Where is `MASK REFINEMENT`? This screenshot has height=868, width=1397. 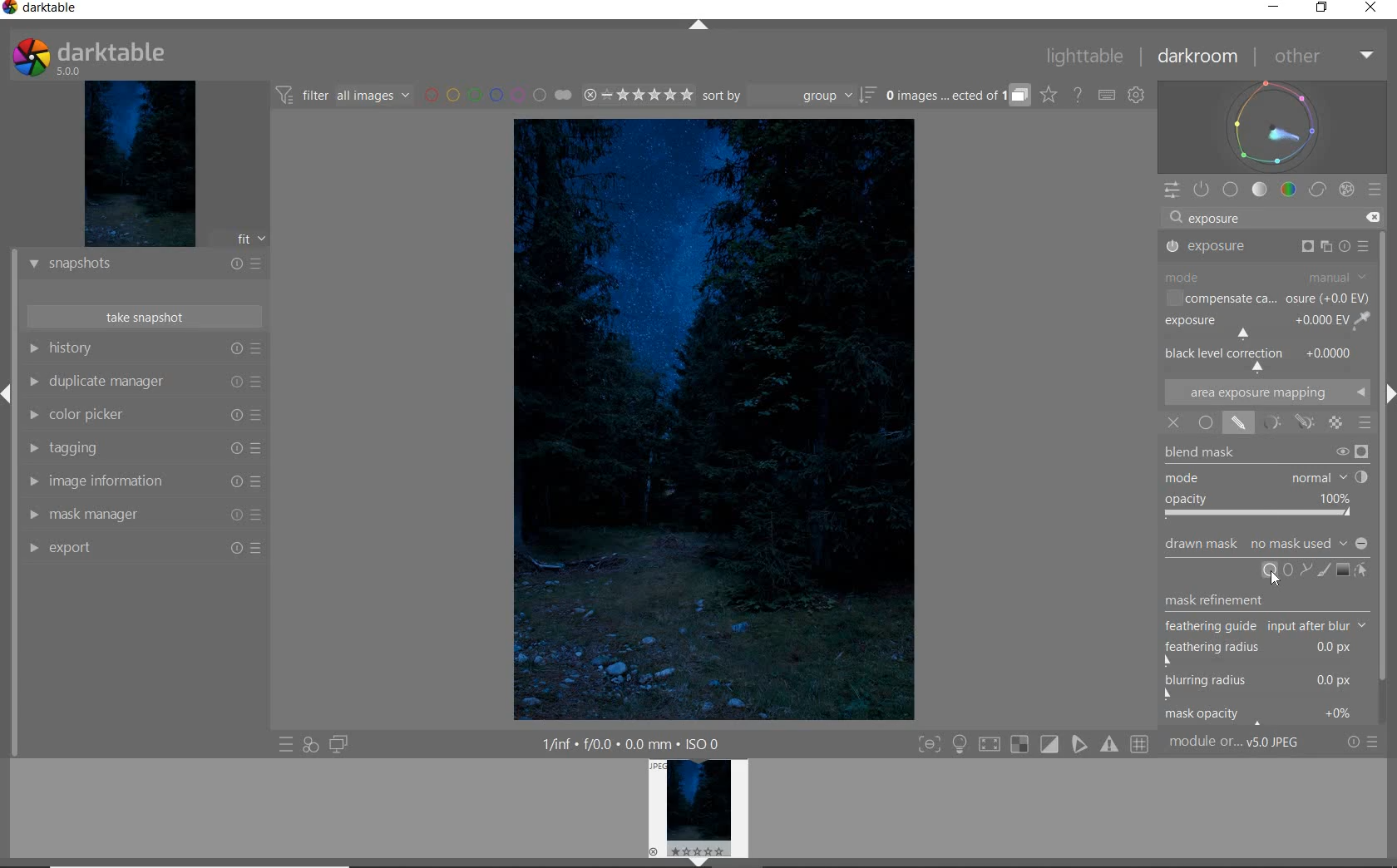 MASK REFINEMENT is located at coordinates (1268, 600).